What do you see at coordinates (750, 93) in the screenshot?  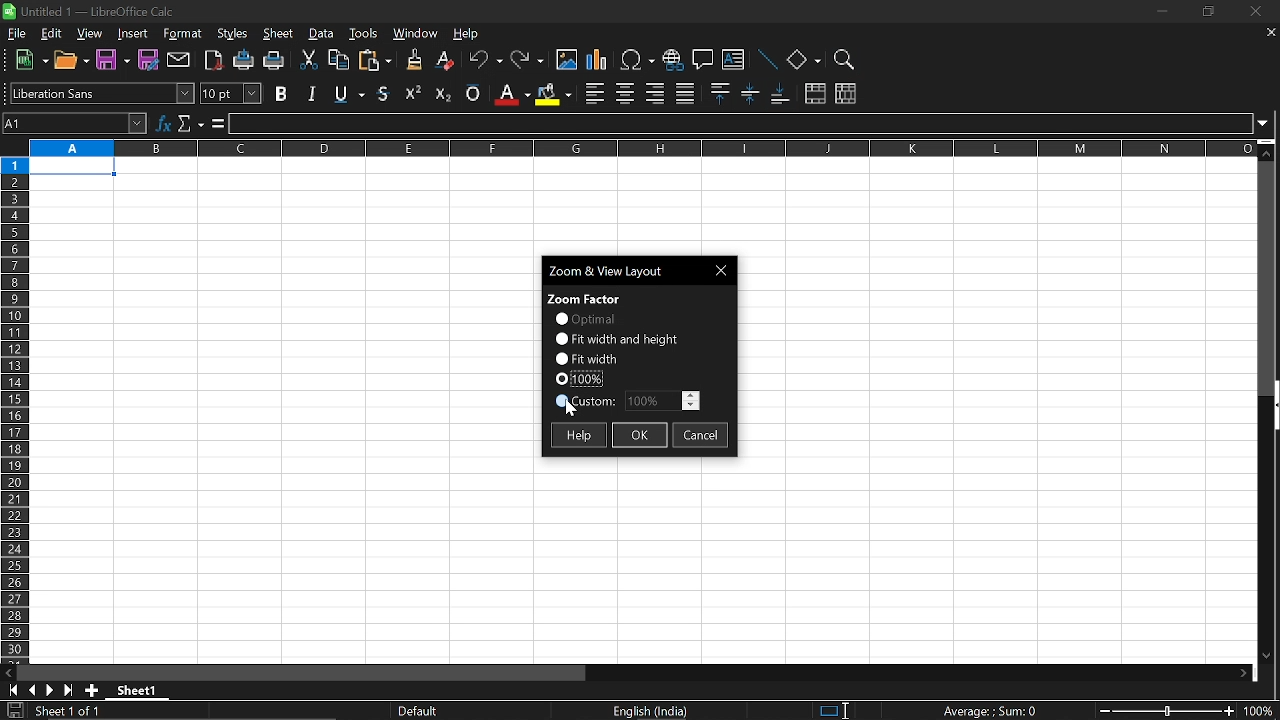 I see `center vertically` at bounding box center [750, 93].